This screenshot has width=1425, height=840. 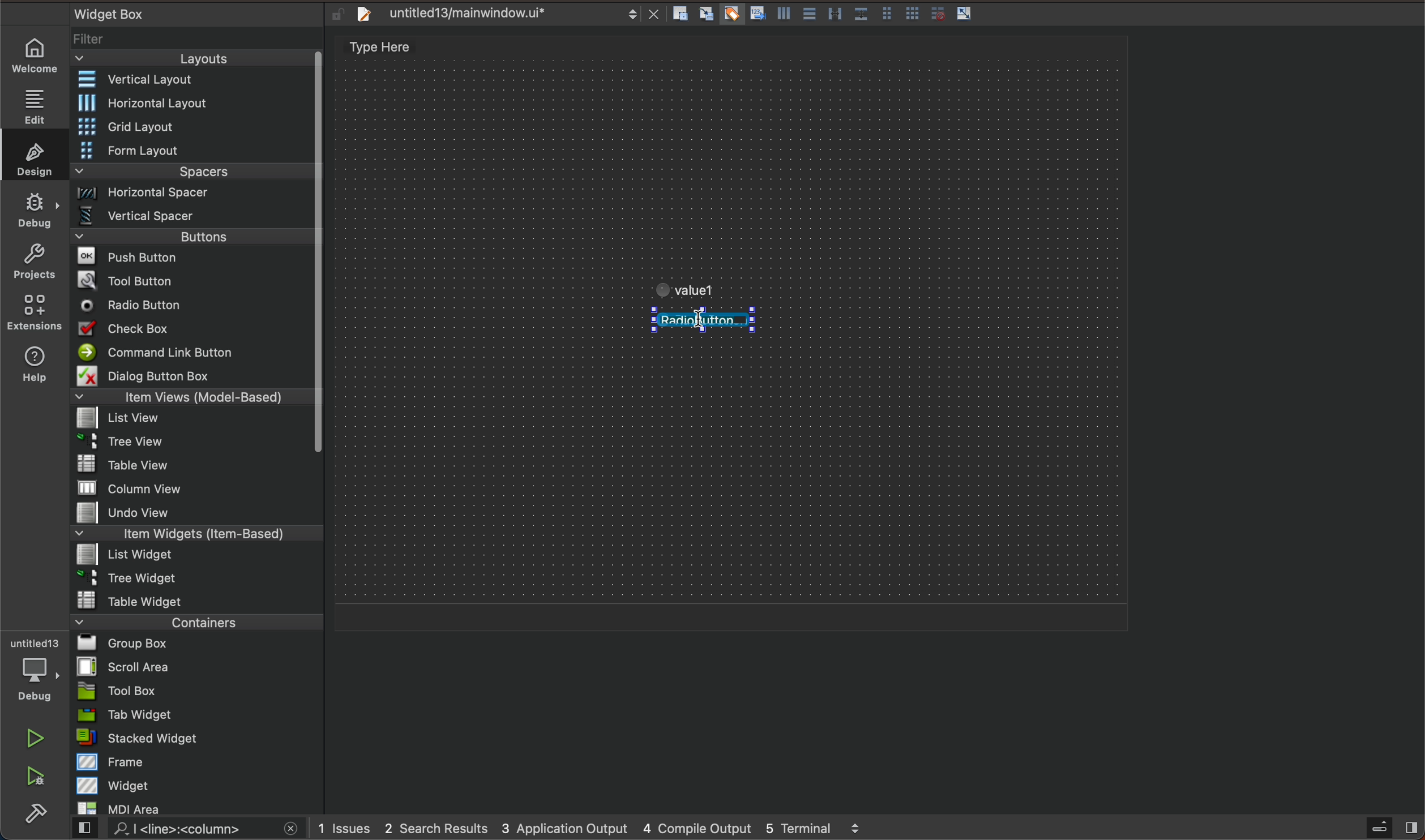 I want to click on file tab, so click(x=504, y=14).